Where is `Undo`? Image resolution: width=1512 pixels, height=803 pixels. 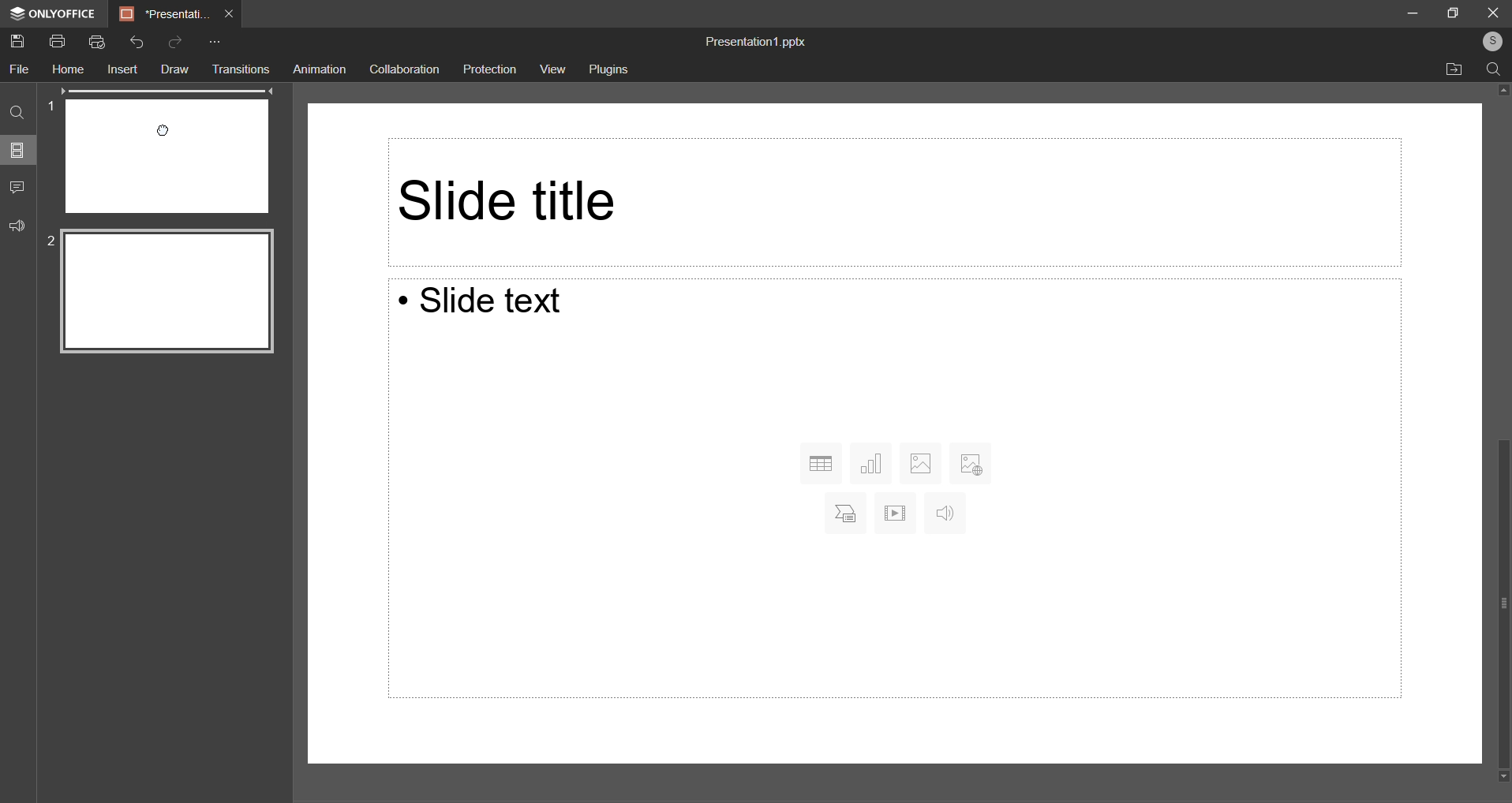 Undo is located at coordinates (136, 42).